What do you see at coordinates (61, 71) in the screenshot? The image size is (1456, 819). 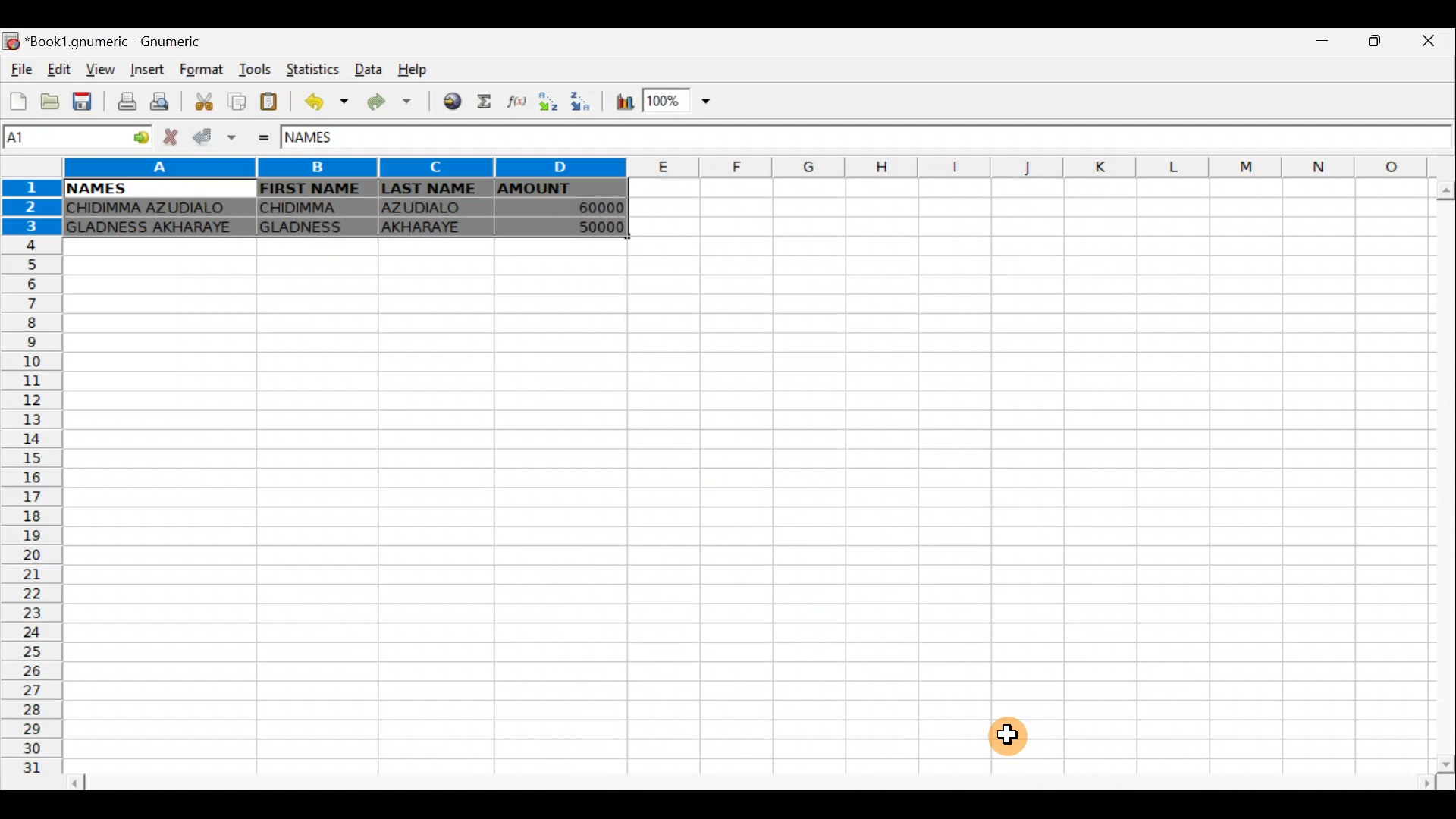 I see `Edit` at bounding box center [61, 71].